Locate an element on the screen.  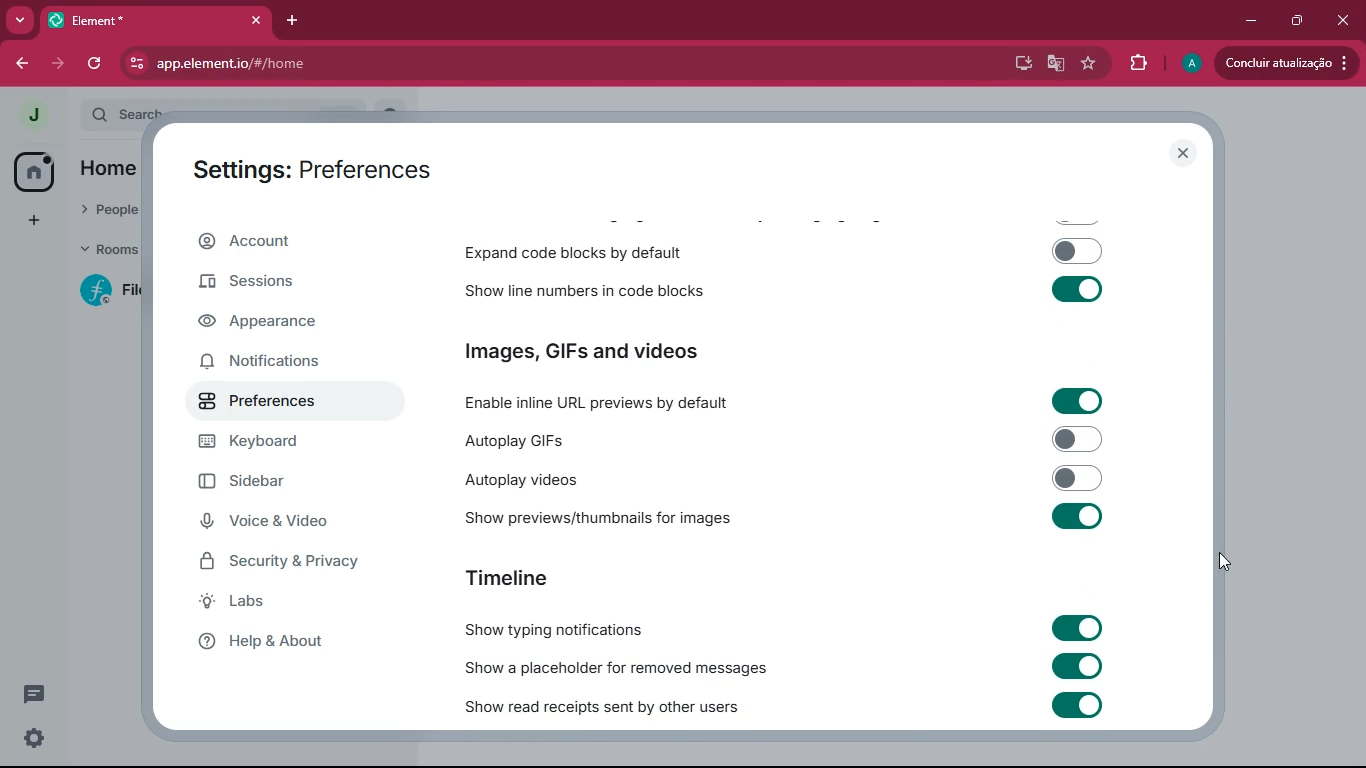
close is located at coordinates (1345, 24).